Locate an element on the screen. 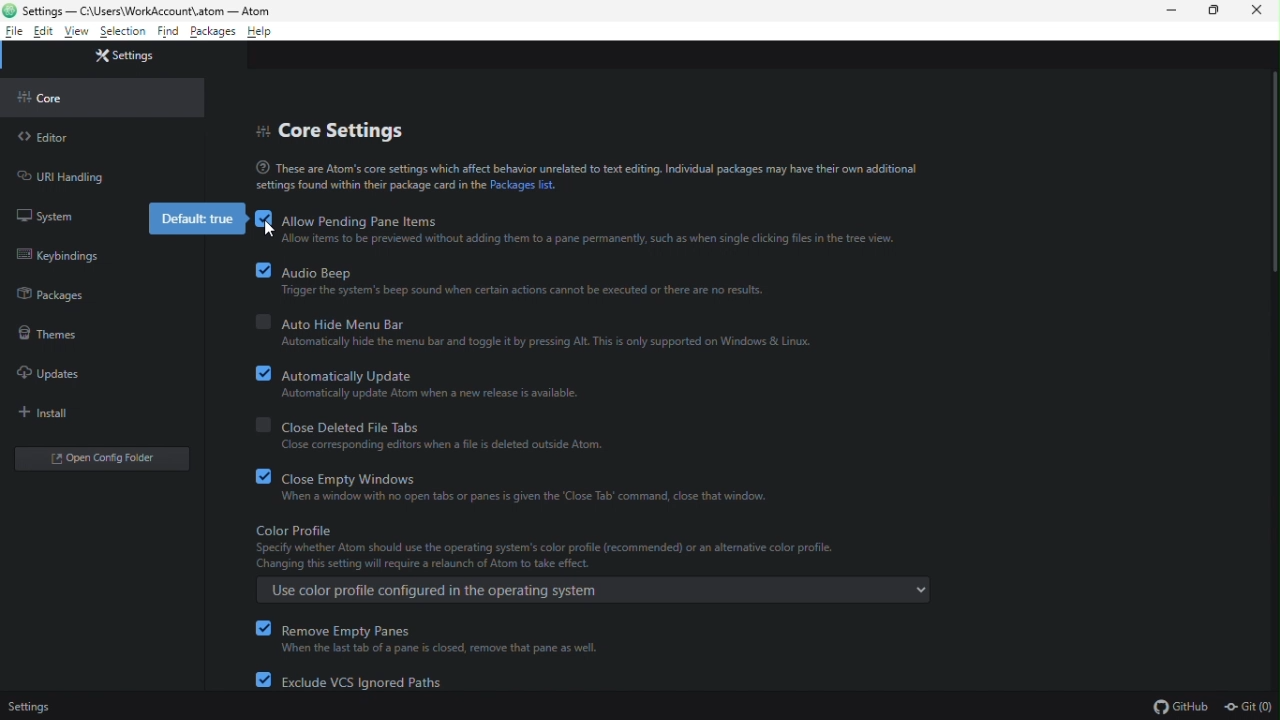 This screenshot has height=720, width=1280. keybinding is located at coordinates (61, 257).